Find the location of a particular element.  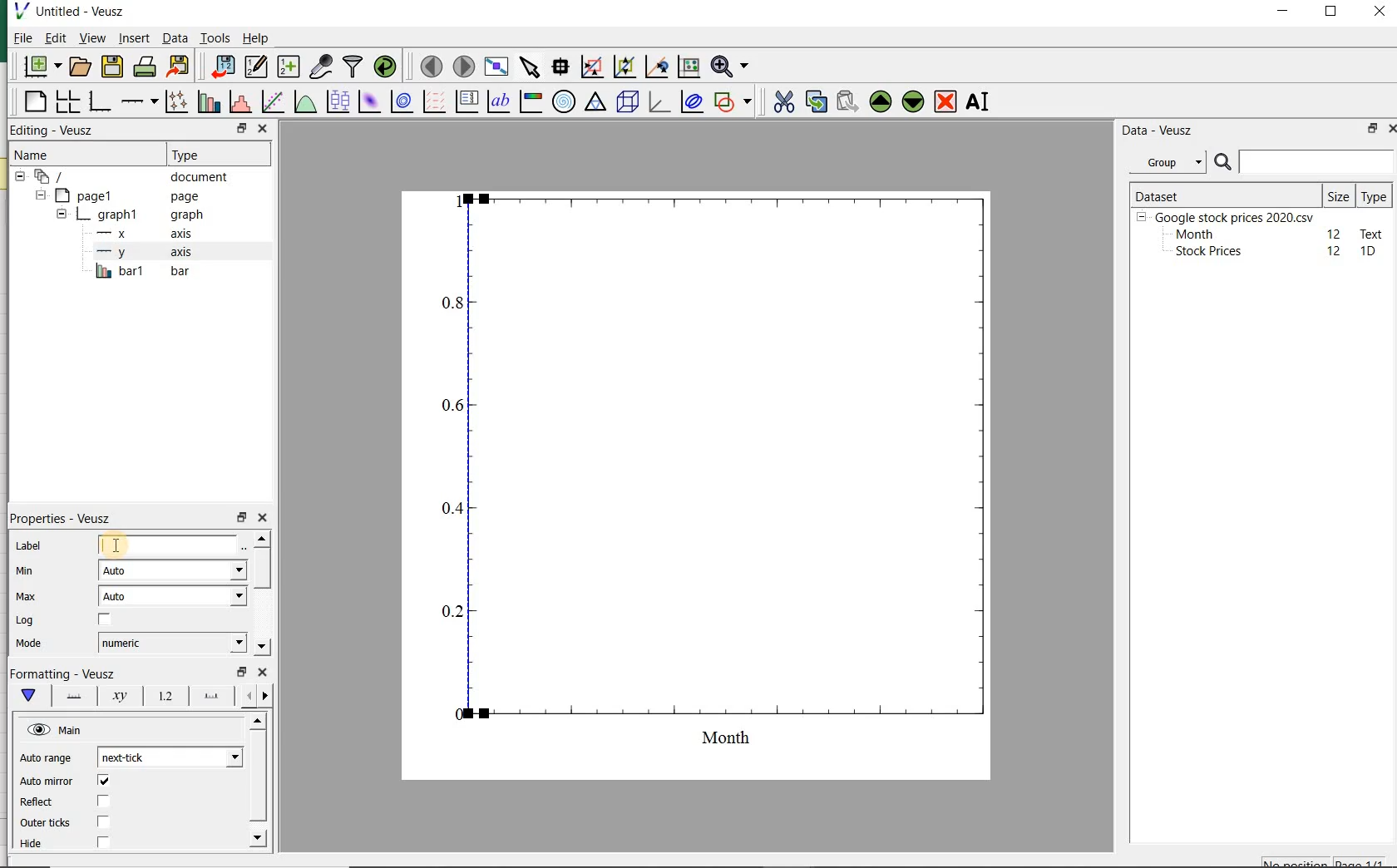

Reflect is located at coordinates (39, 802).